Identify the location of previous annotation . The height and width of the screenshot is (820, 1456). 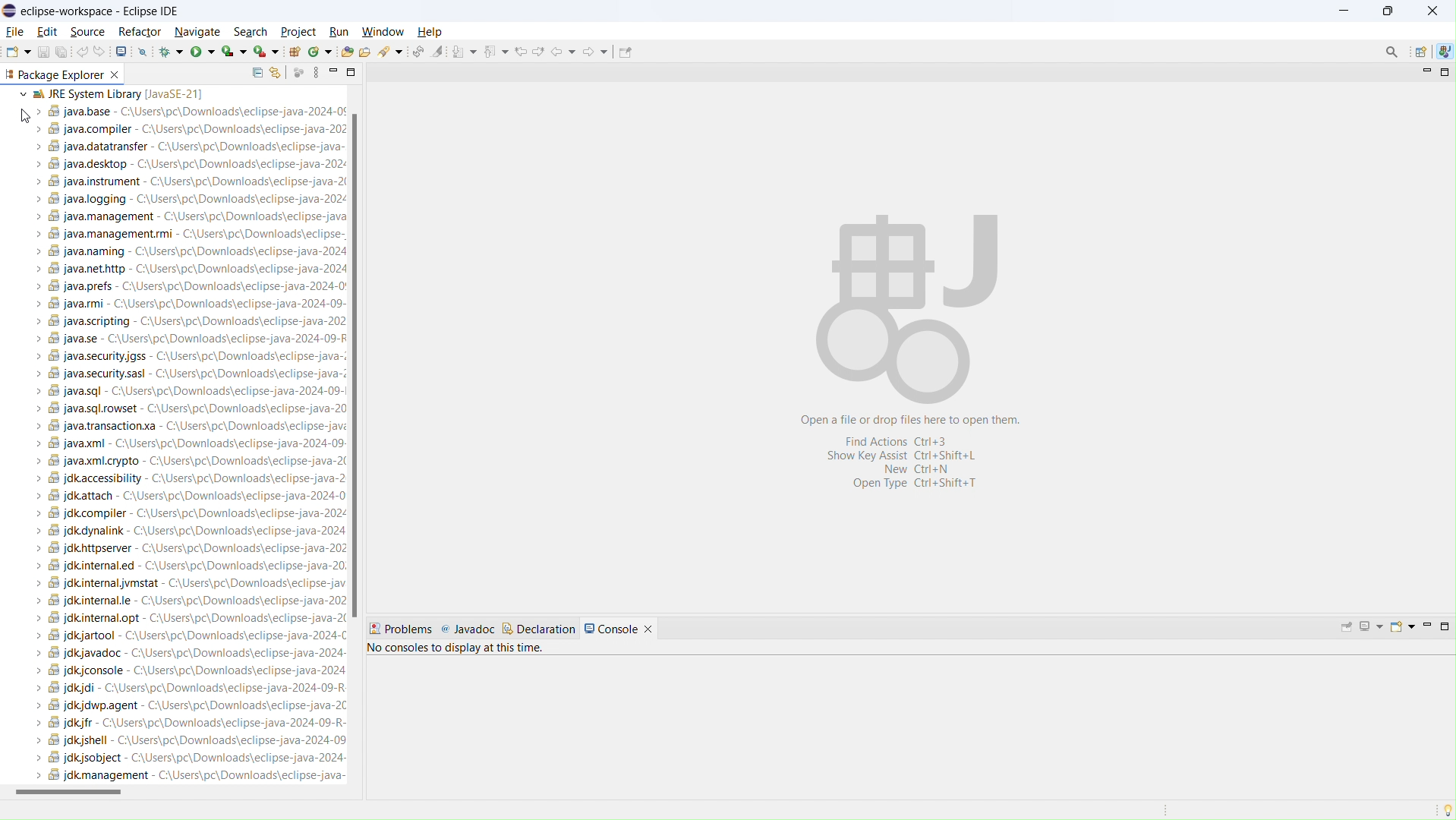
(496, 52).